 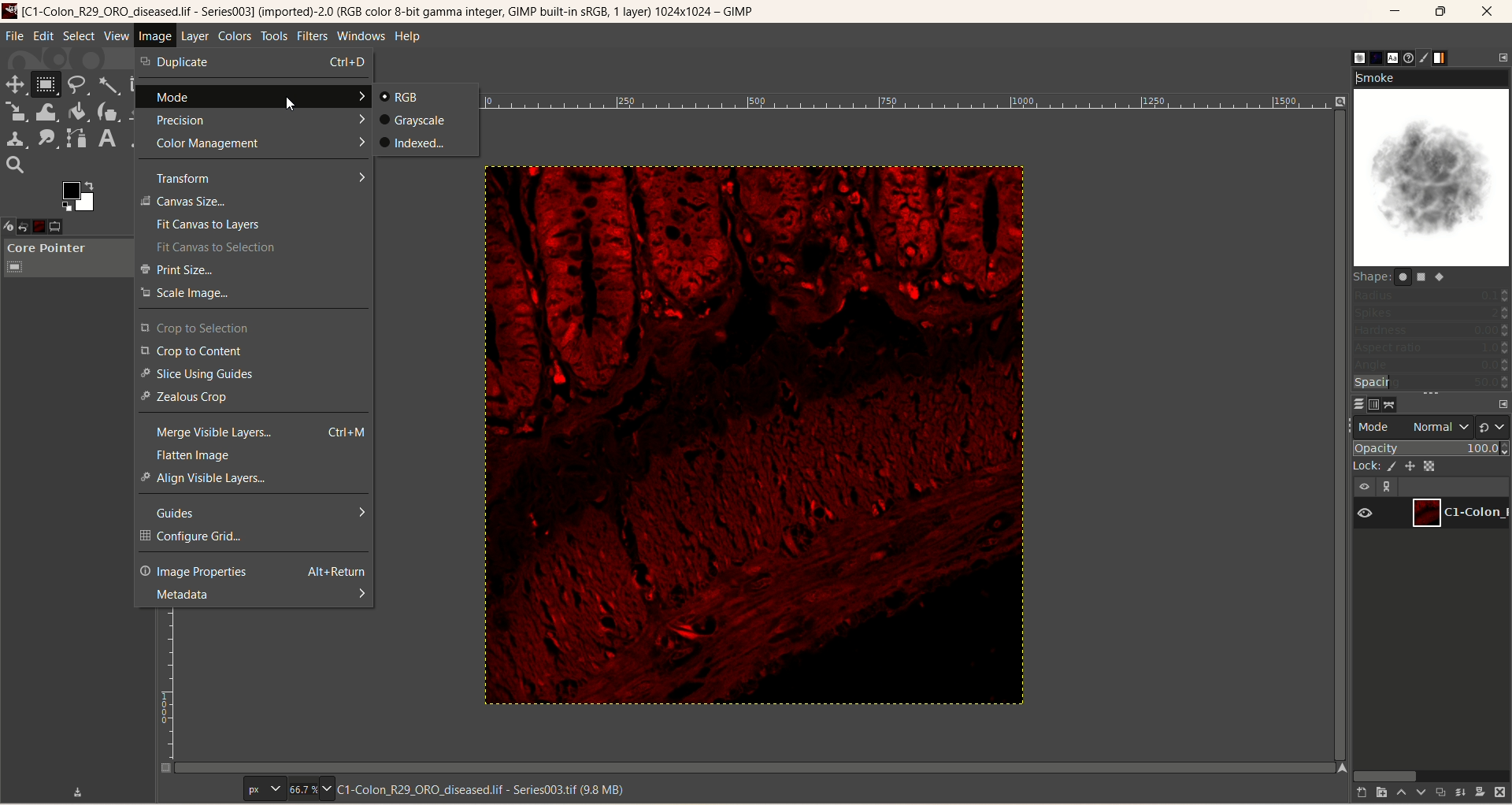 I want to click on switch to another group of modes, so click(x=1493, y=426).